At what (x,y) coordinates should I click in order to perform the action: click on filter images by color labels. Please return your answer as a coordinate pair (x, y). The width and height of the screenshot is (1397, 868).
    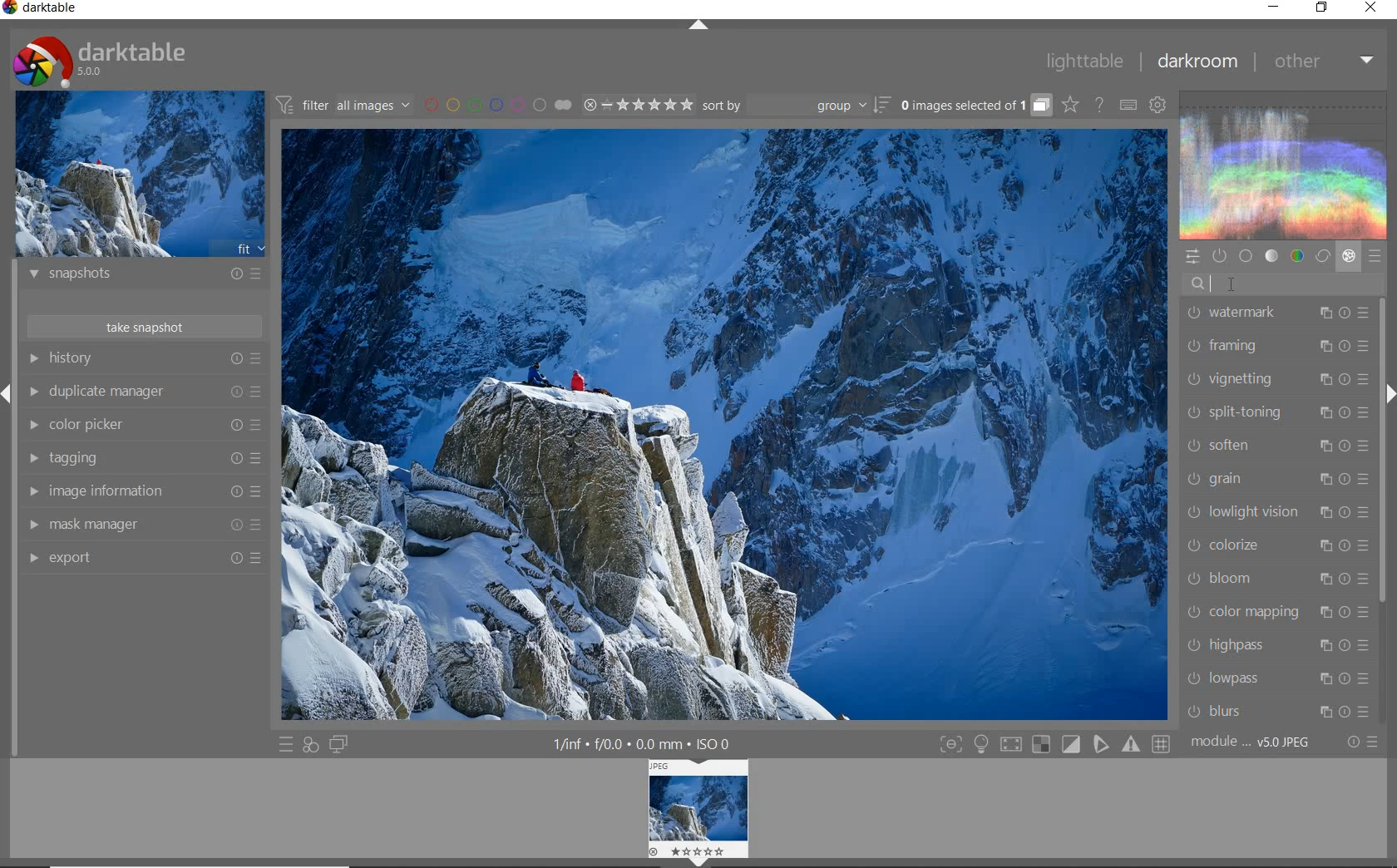
    Looking at the image, I should click on (498, 104).